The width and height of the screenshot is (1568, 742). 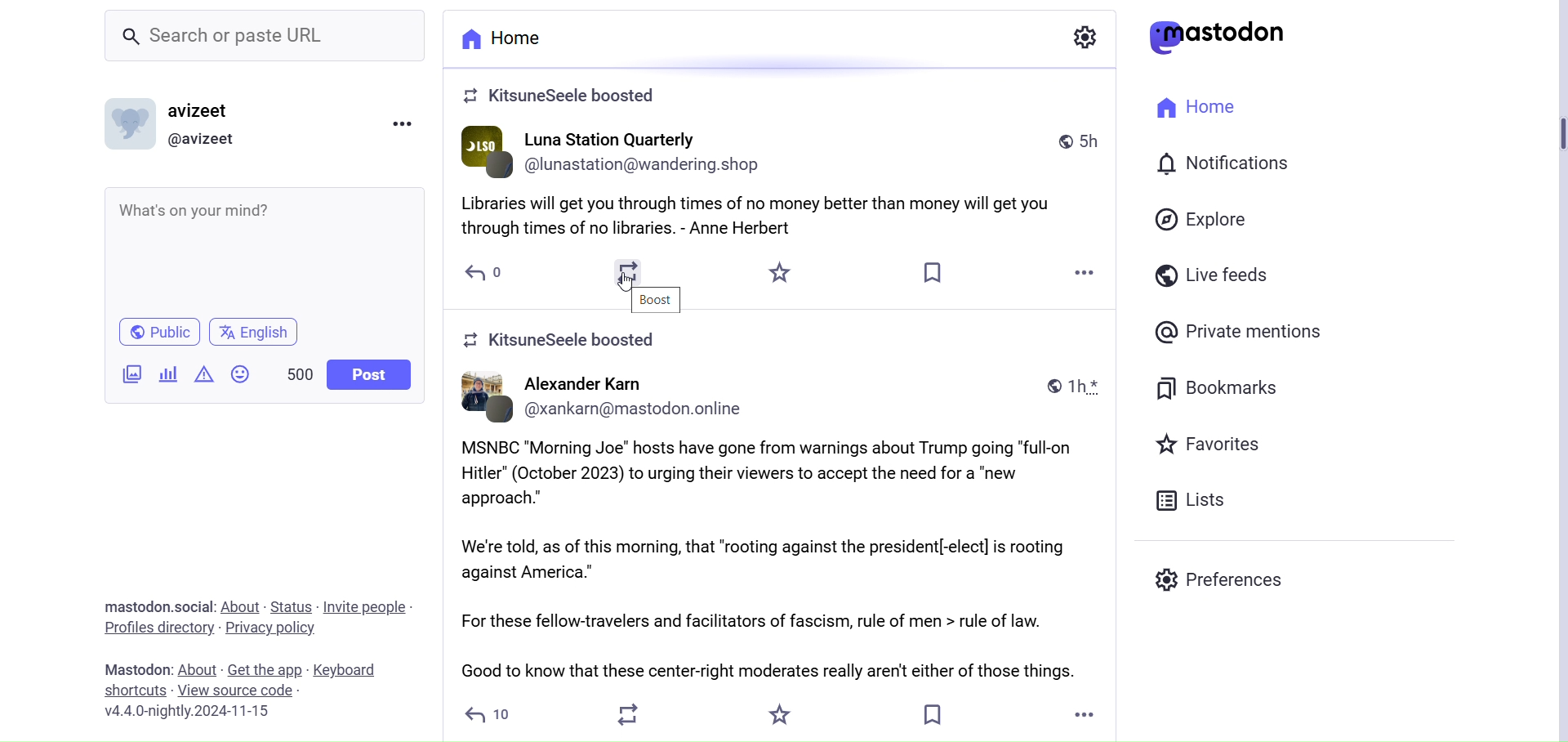 What do you see at coordinates (1217, 581) in the screenshot?
I see `Preferences` at bounding box center [1217, 581].